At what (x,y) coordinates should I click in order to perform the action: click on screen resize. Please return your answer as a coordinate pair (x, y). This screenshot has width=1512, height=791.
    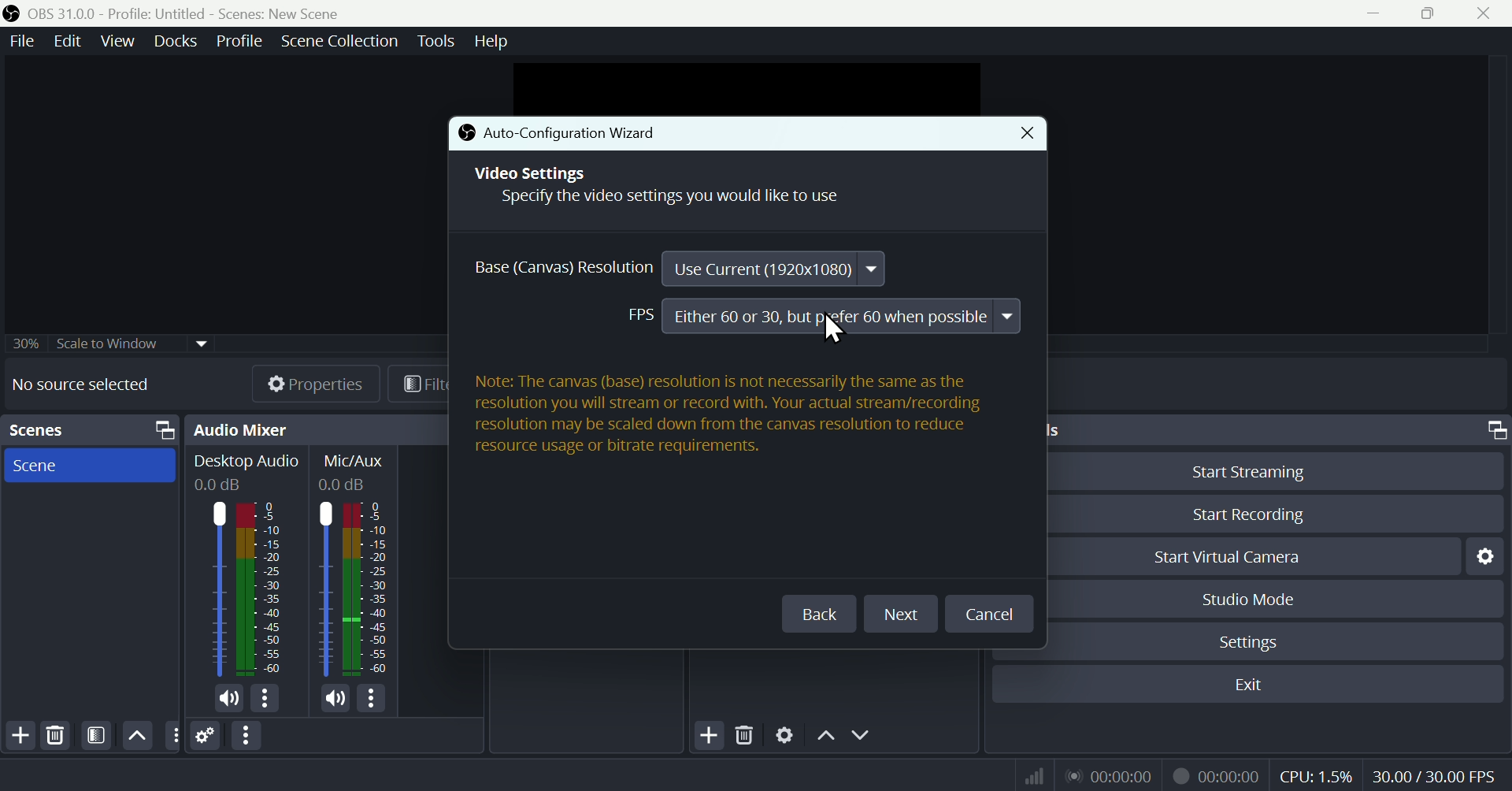
    Looking at the image, I should click on (1492, 430).